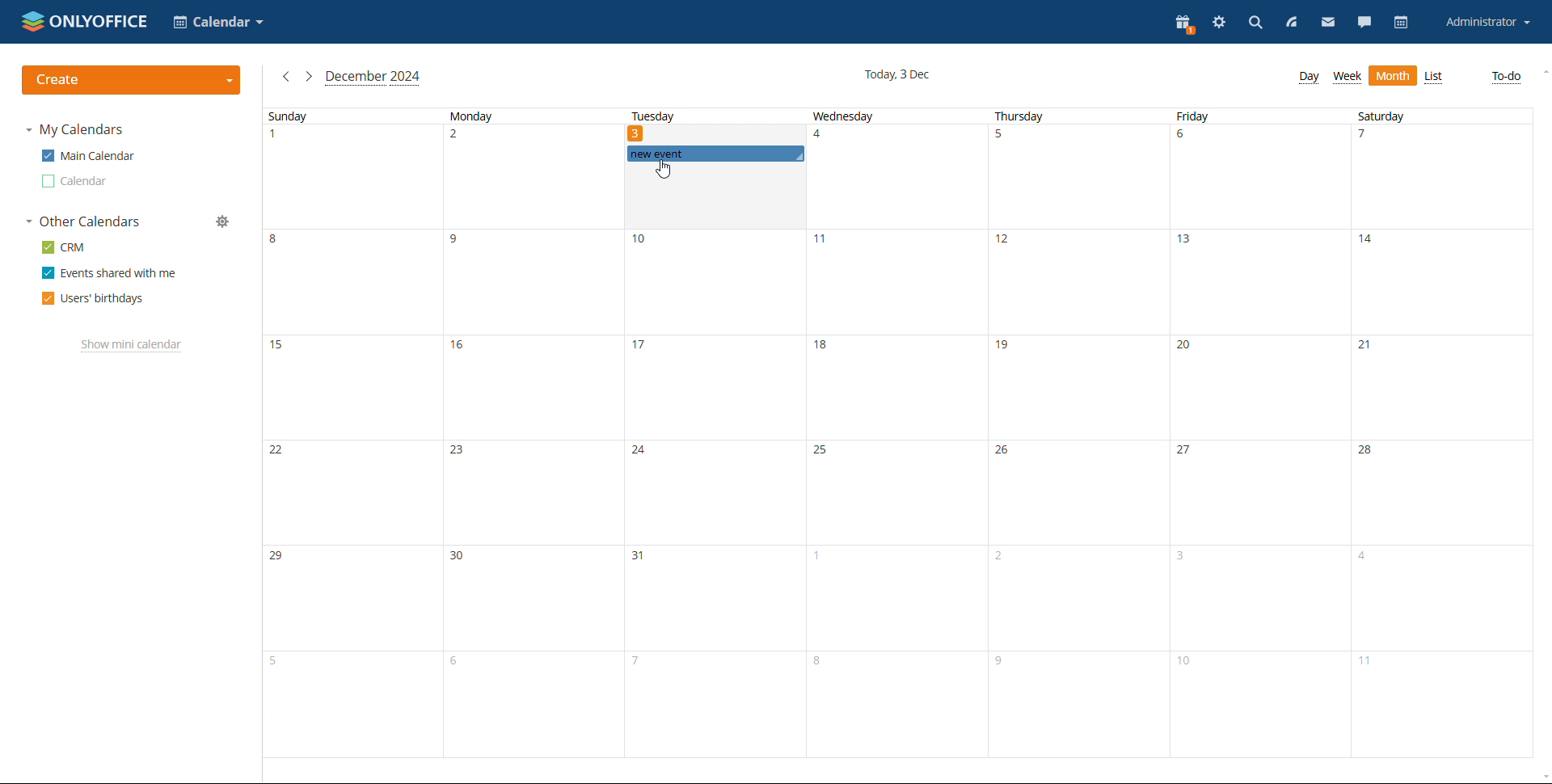 The width and height of the screenshot is (1552, 784). Describe the element at coordinates (715, 154) in the screenshot. I see `scheduled event` at that location.